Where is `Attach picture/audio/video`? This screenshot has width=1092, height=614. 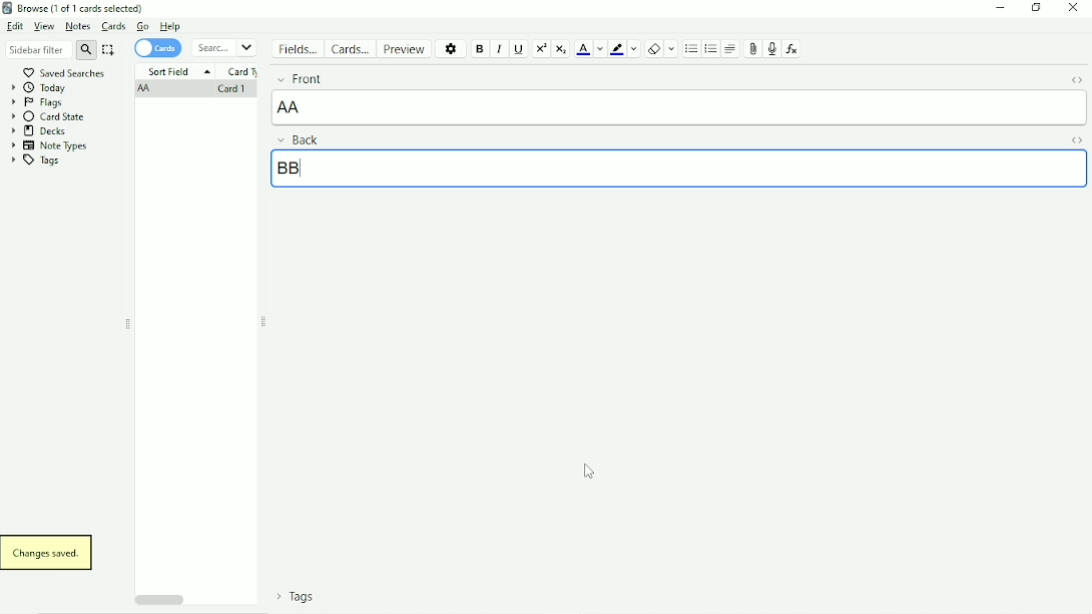 Attach picture/audio/video is located at coordinates (751, 49).